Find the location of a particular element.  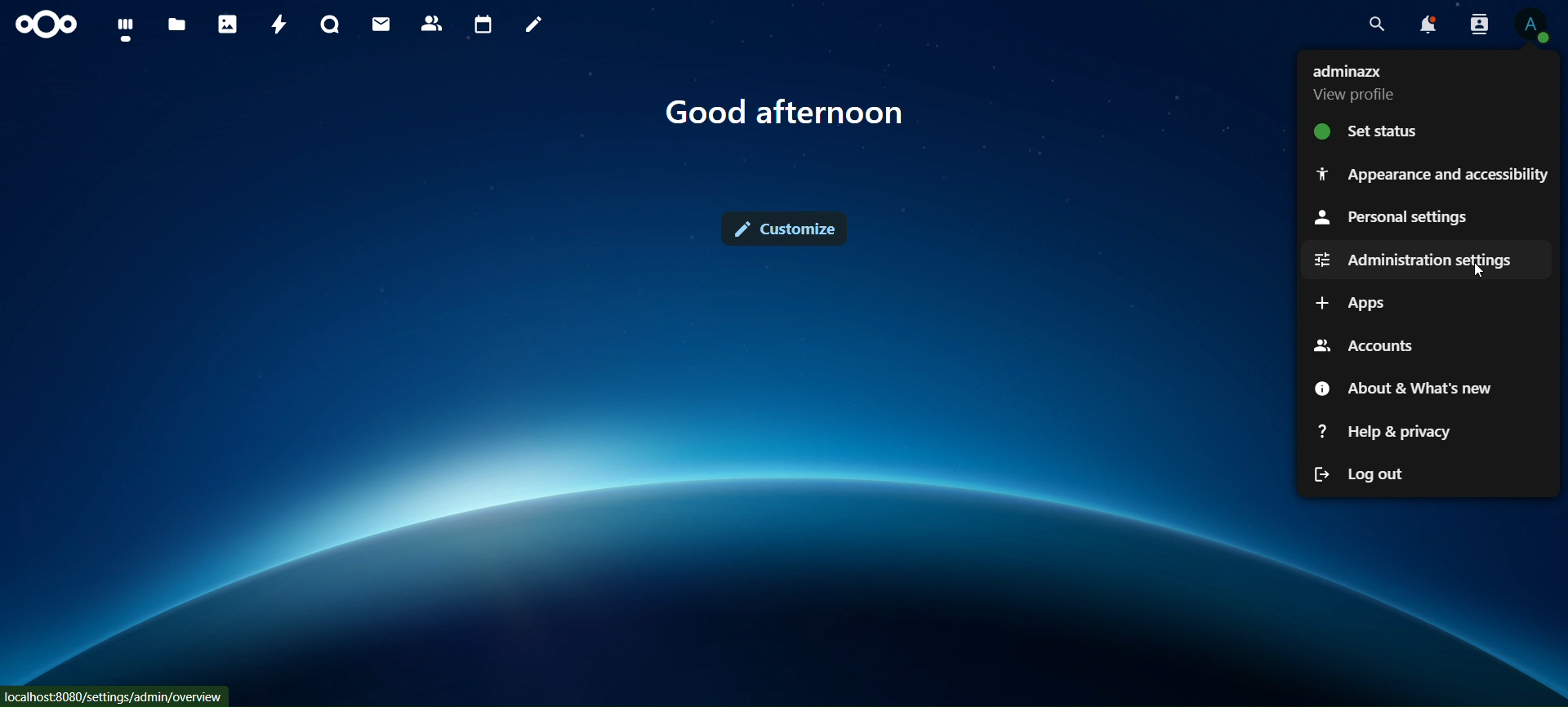

activity is located at coordinates (278, 27).